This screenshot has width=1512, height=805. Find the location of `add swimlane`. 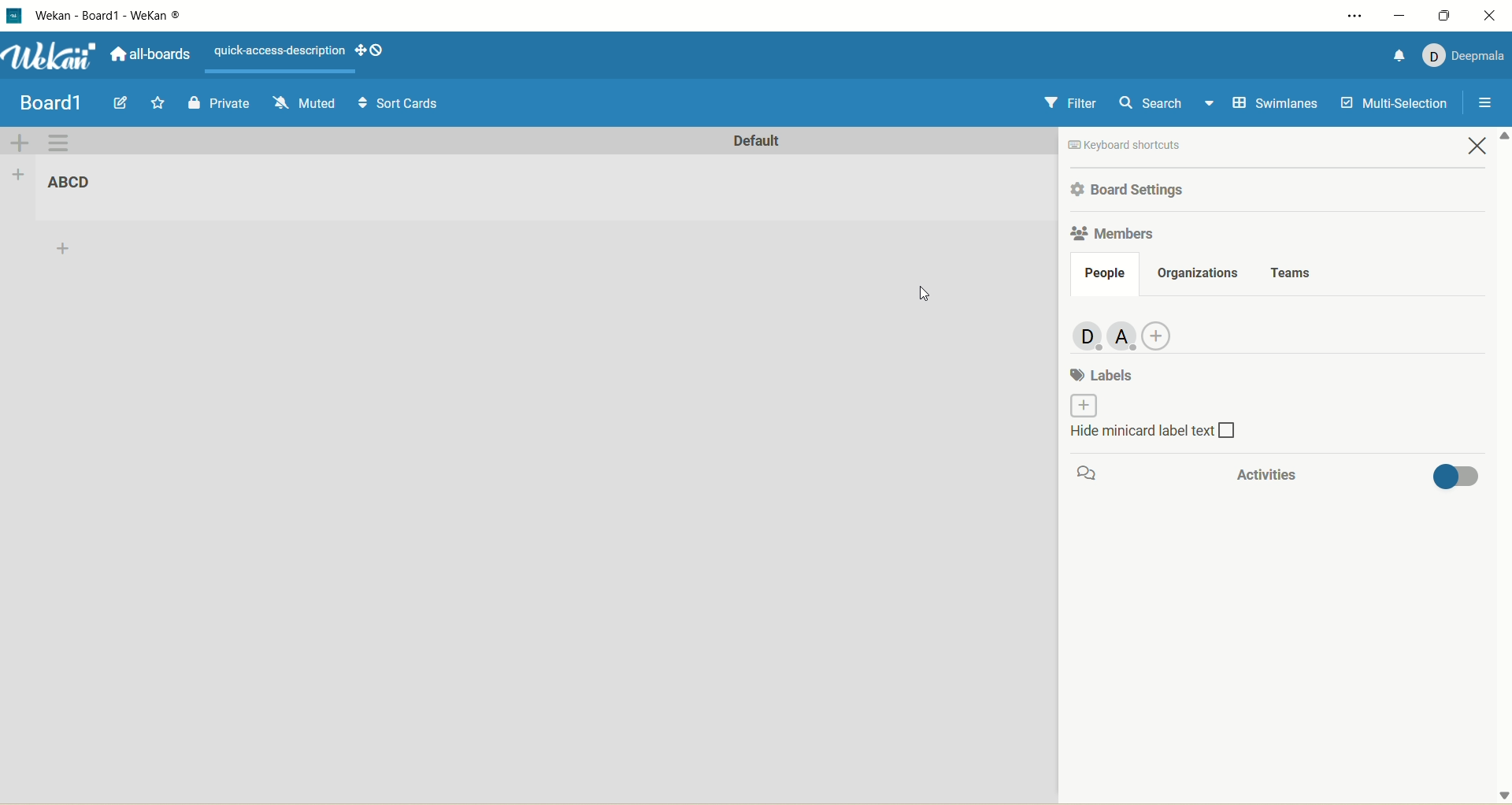

add swimlane is located at coordinates (20, 142).